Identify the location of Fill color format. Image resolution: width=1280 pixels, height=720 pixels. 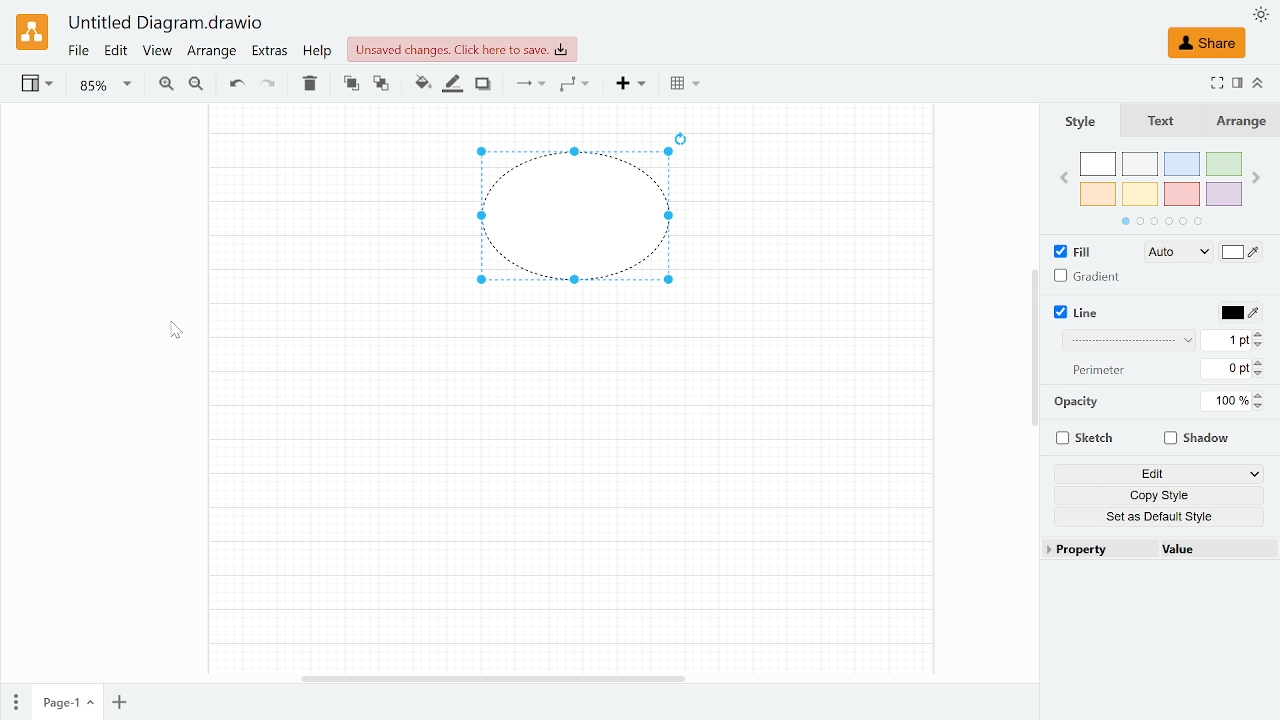
(1170, 252).